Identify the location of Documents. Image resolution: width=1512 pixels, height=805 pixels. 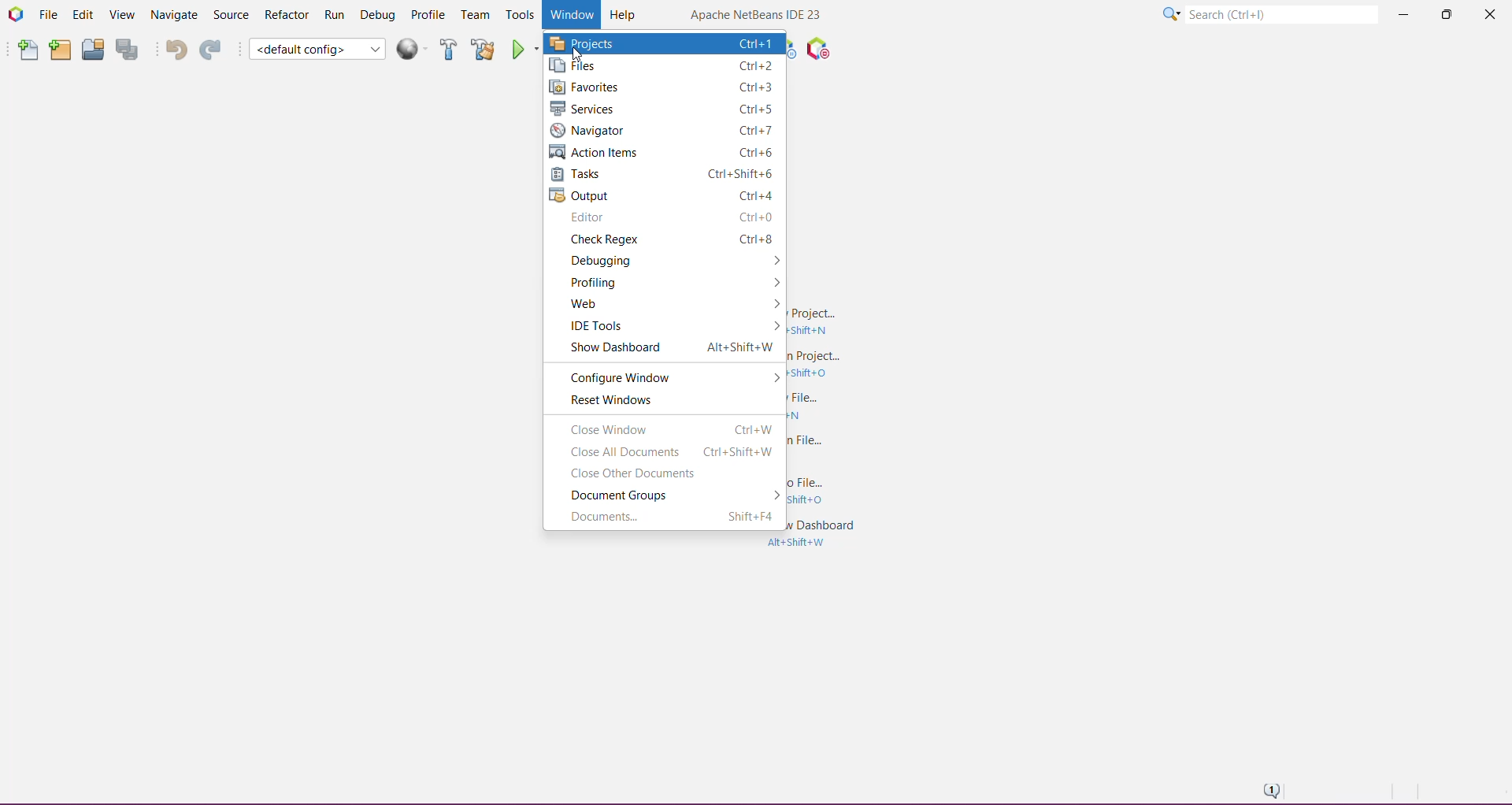
(668, 517).